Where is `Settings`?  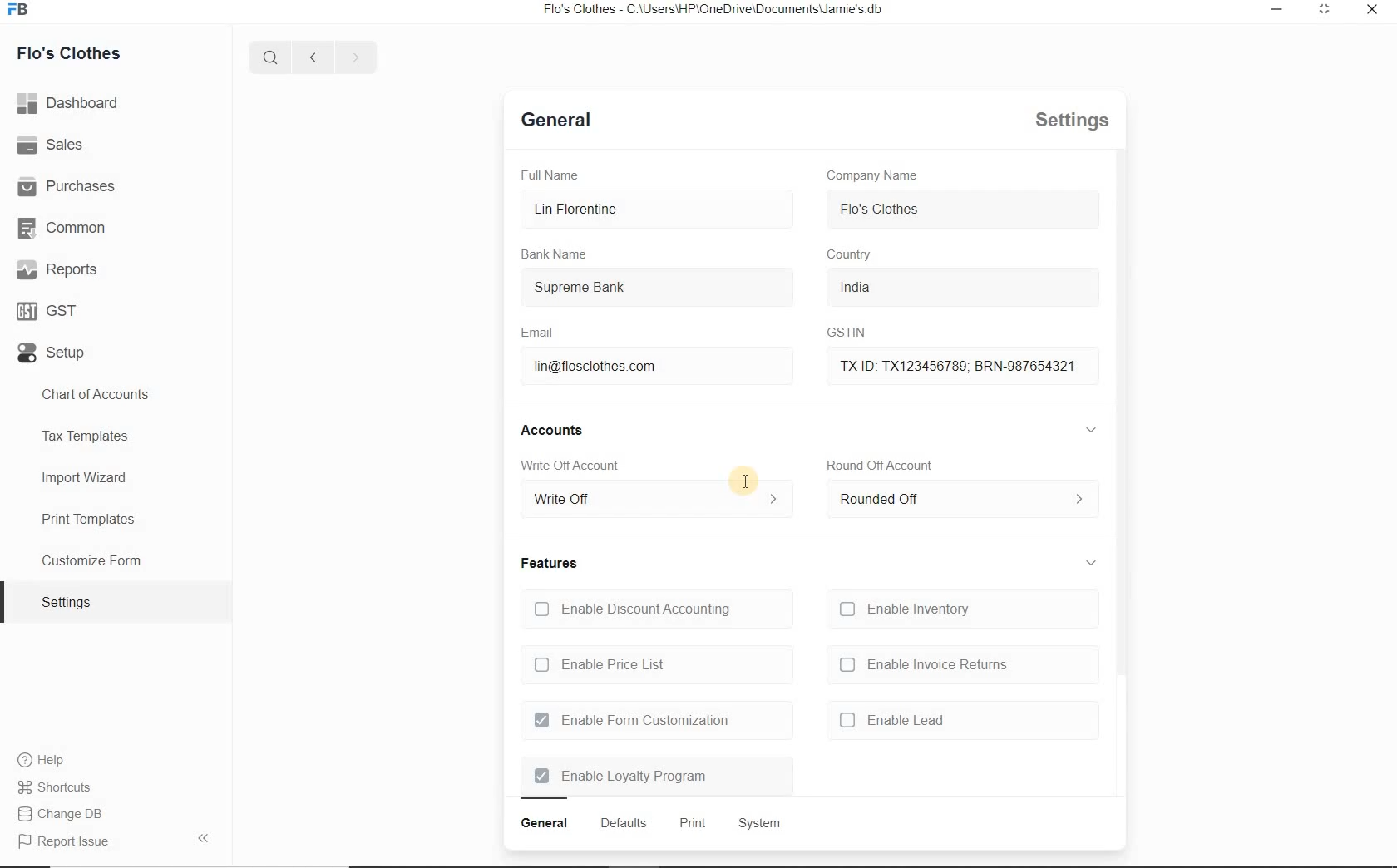 Settings is located at coordinates (1074, 120).